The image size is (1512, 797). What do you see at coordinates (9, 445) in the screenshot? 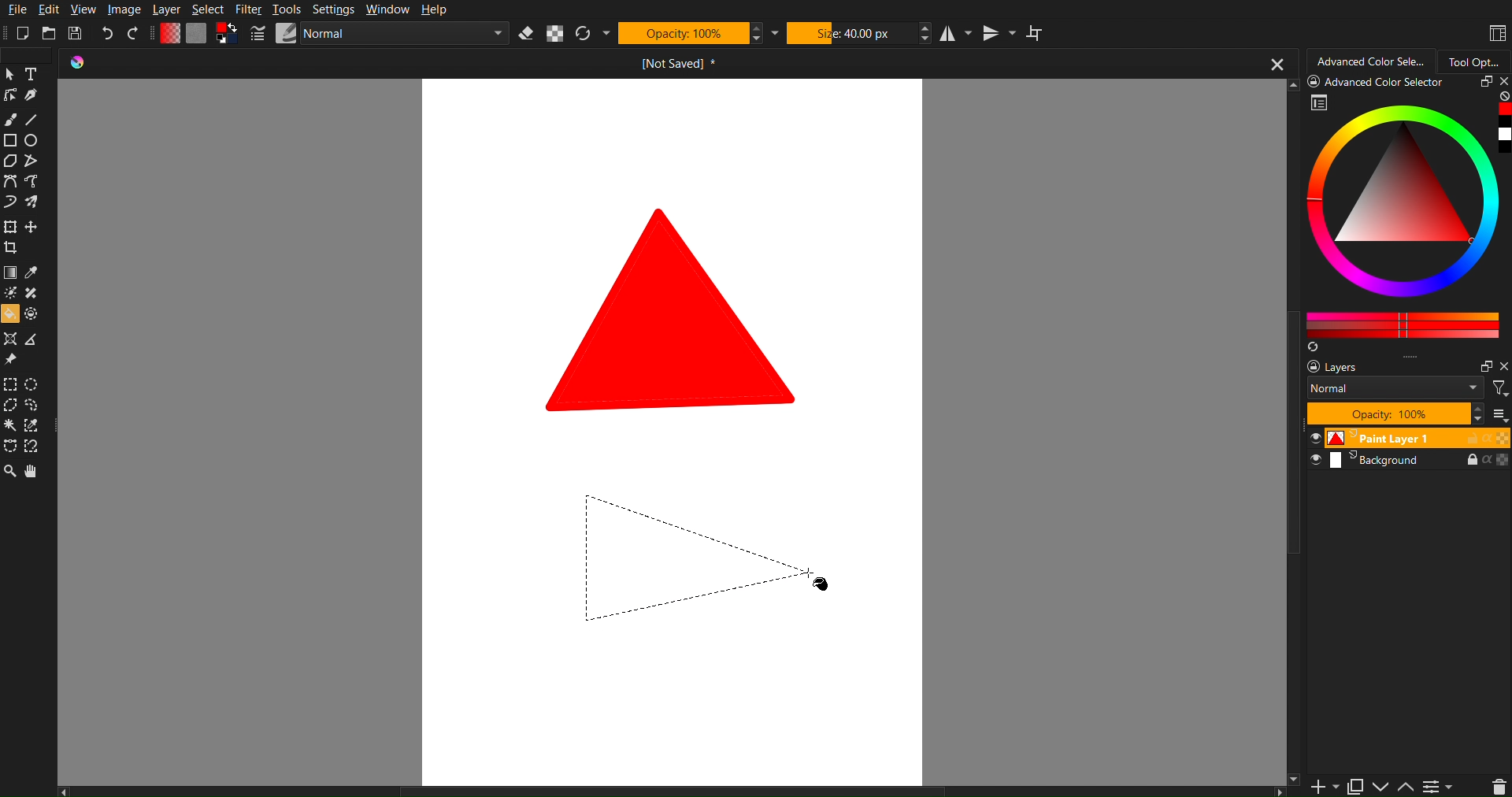
I see `selection free shape` at bounding box center [9, 445].